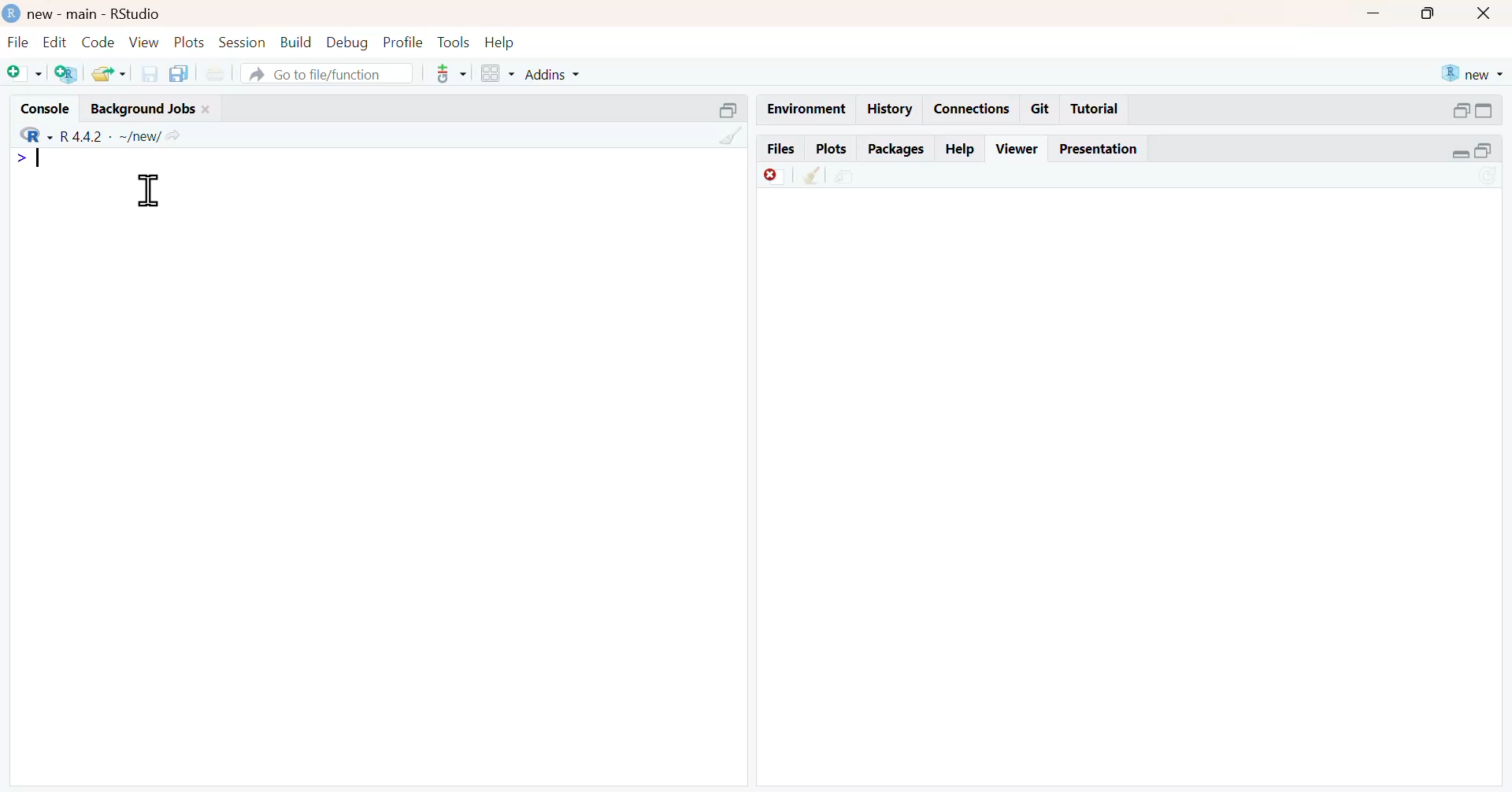 This screenshot has width=1512, height=792. I want to click on build, so click(297, 42).